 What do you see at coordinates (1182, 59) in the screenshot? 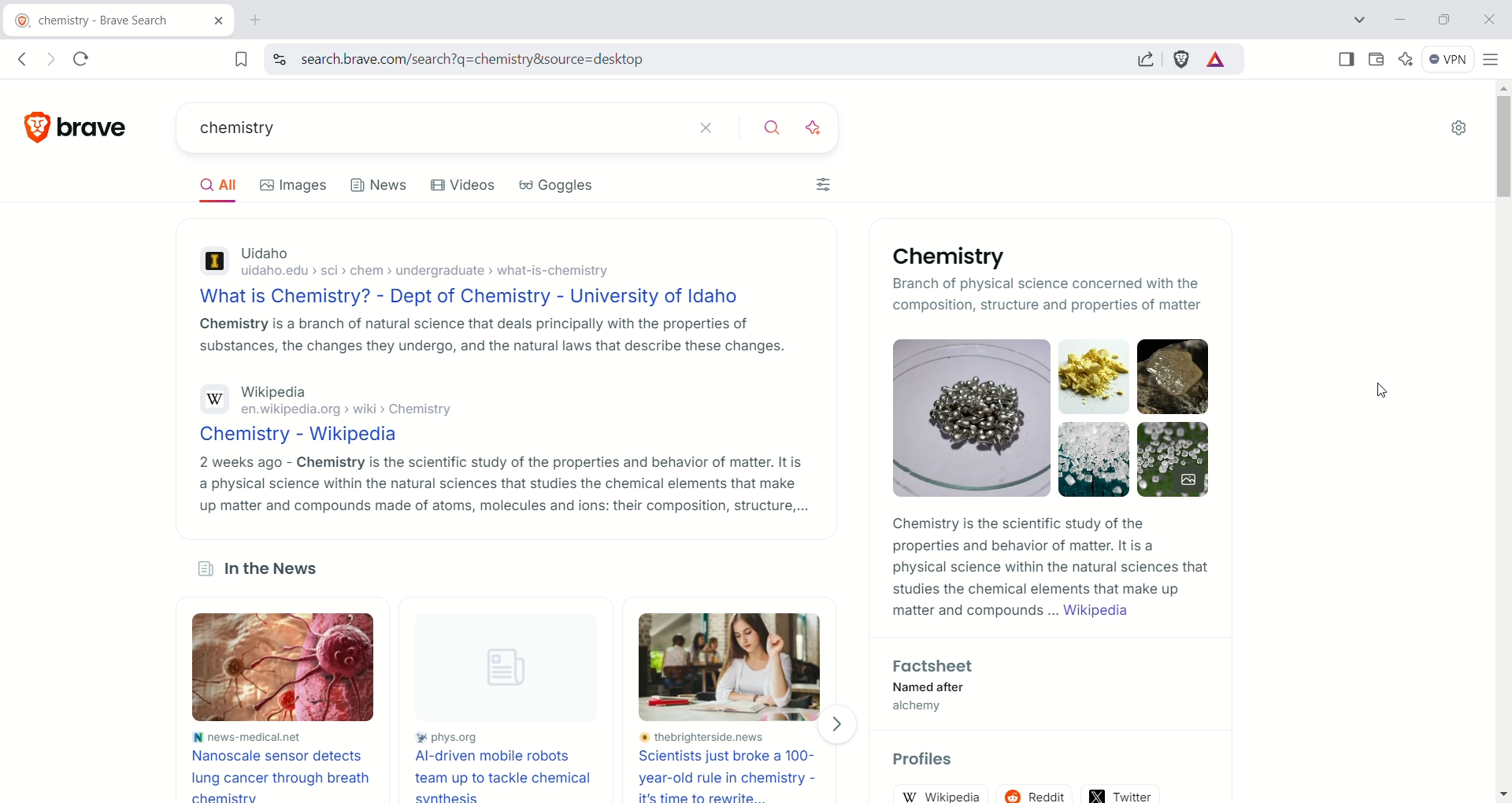
I see `brave shield` at bounding box center [1182, 59].